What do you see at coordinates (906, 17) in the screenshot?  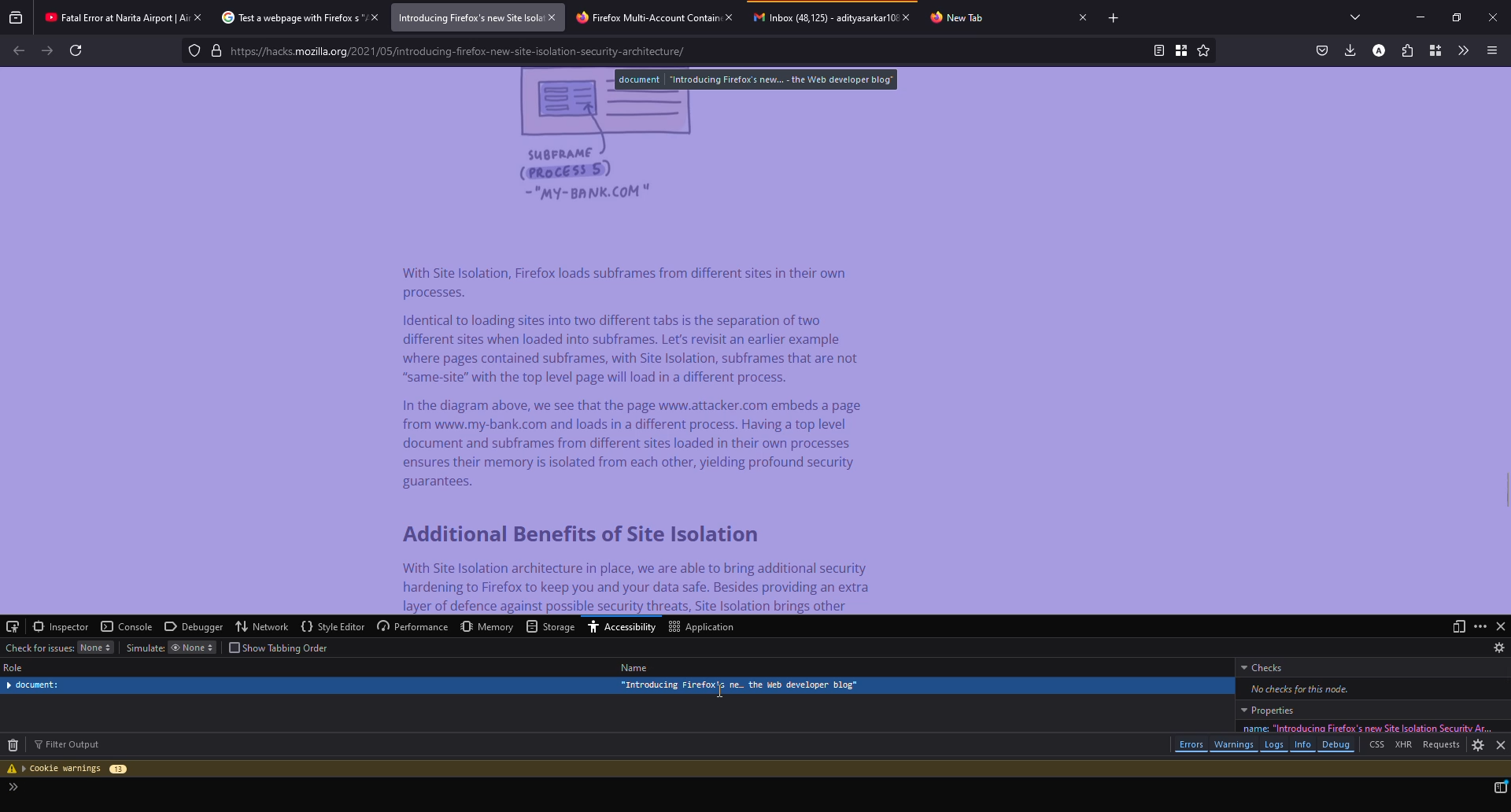 I see `close` at bounding box center [906, 17].